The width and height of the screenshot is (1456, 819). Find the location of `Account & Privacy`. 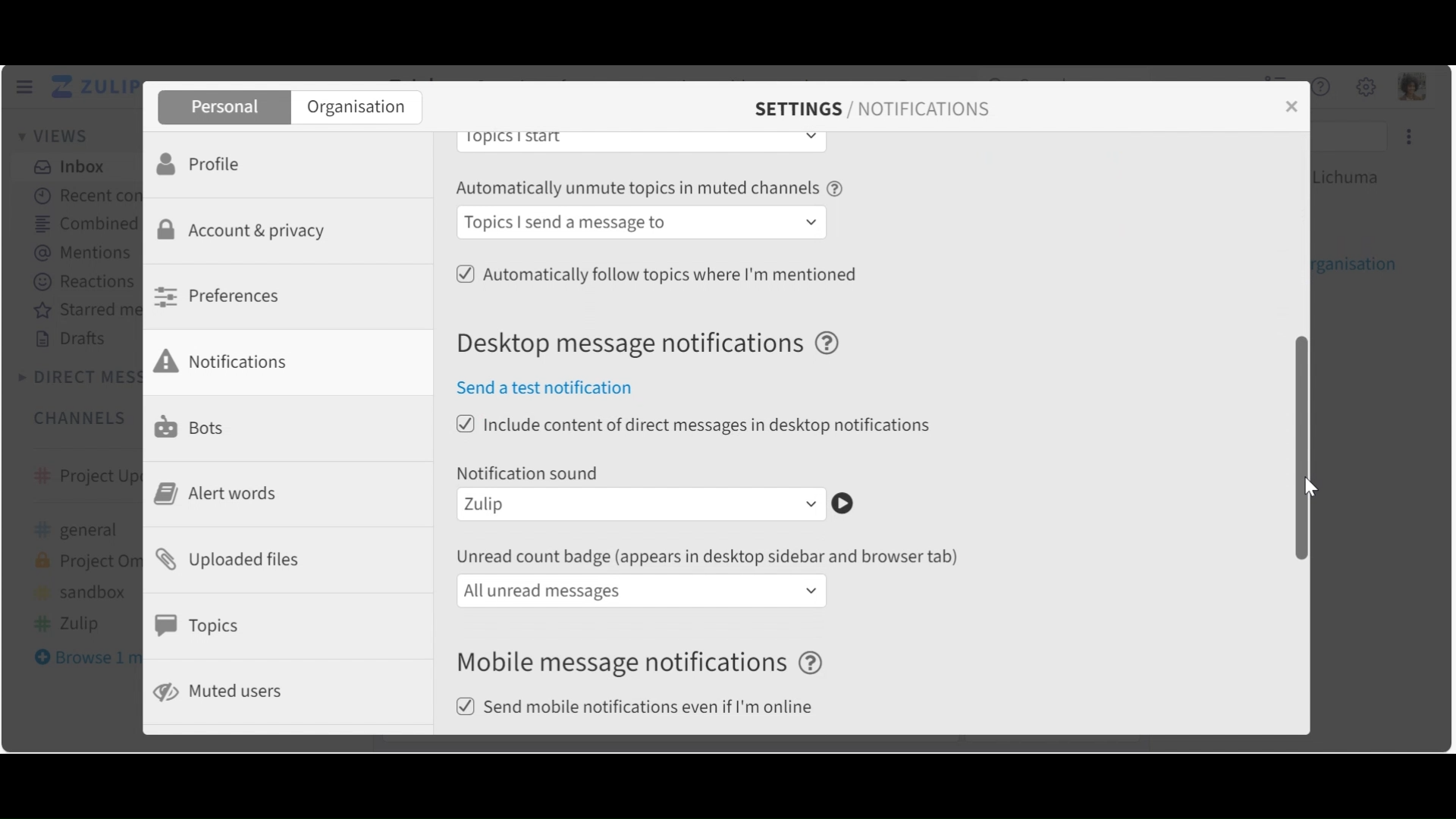

Account & Privacy is located at coordinates (246, 232).